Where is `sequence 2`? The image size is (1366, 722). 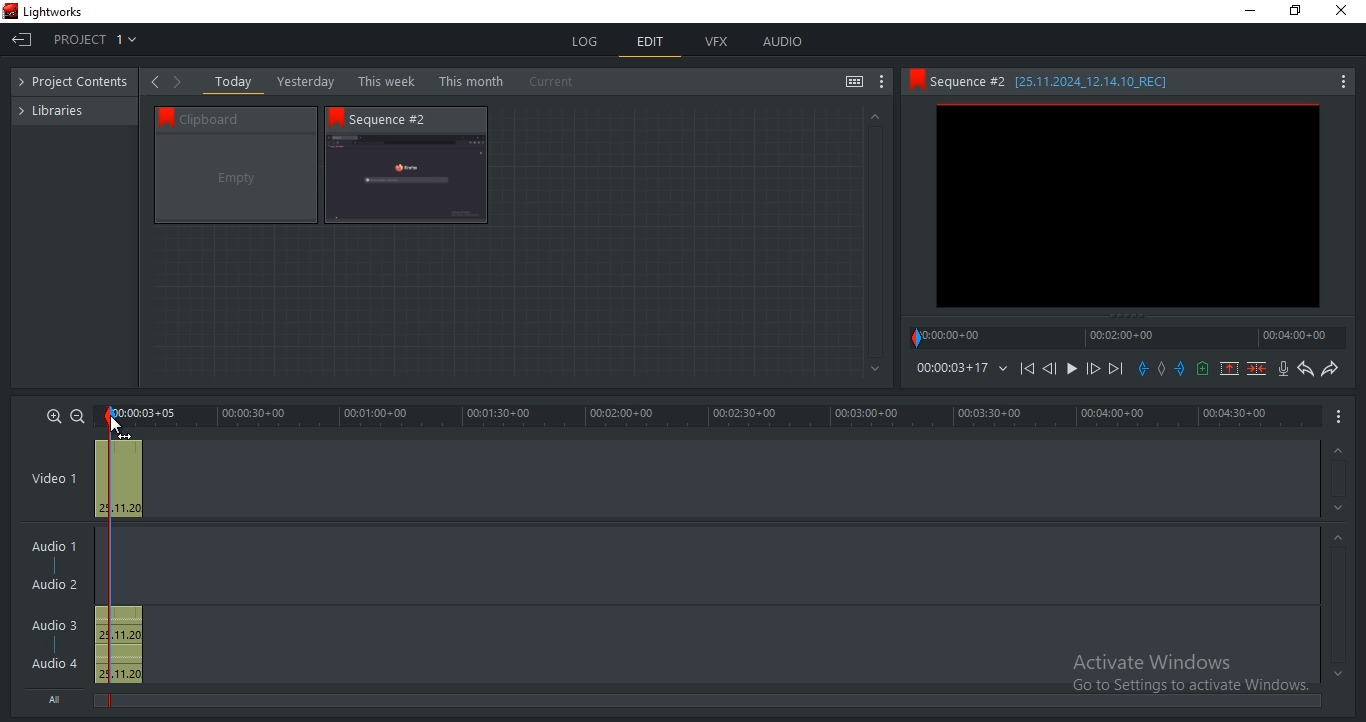
sequence 2 is located at coordinates (406, 180).